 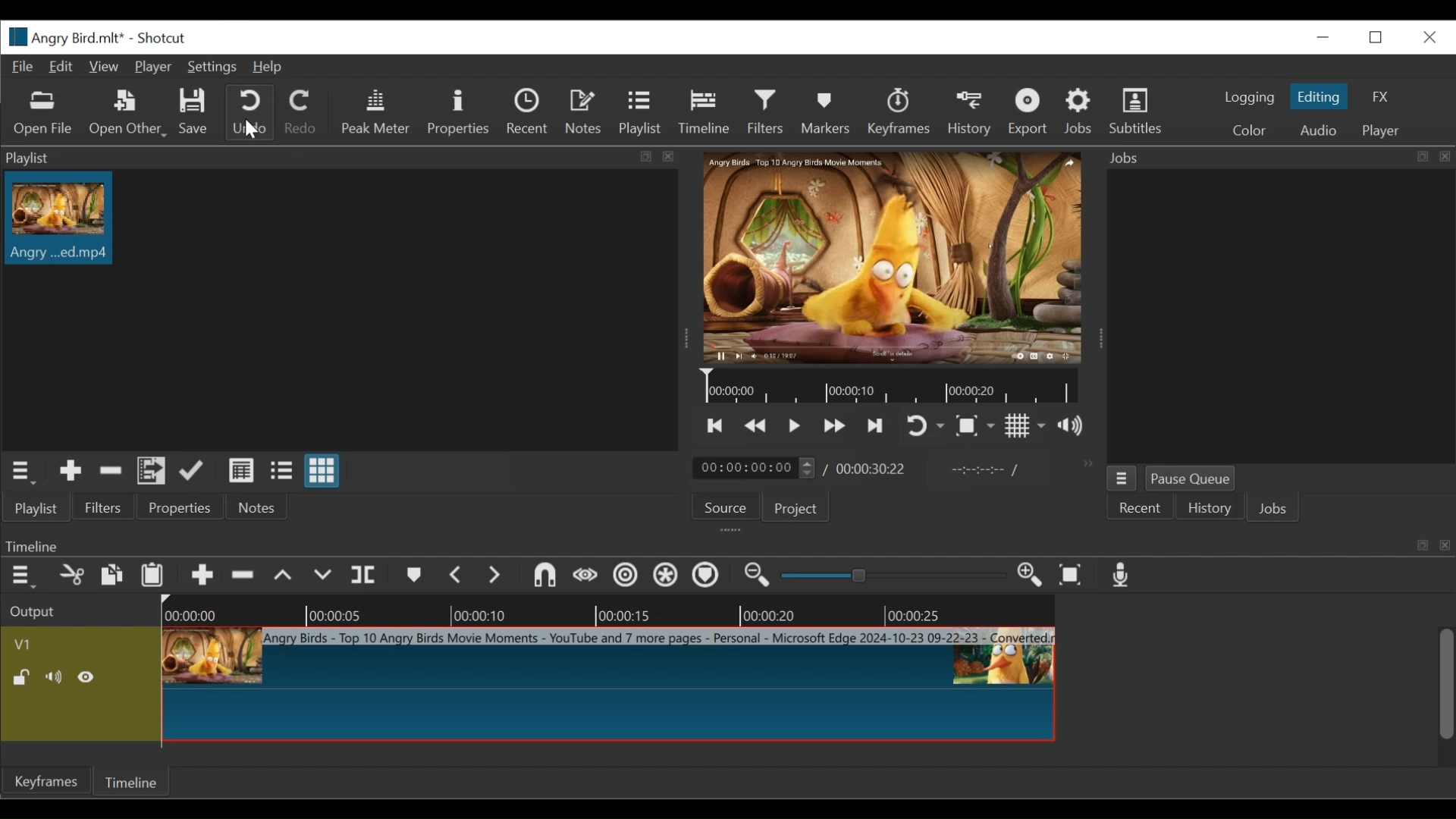 What do you see at coordinates (721, 508) in the screenshot?
I see `Source` at bounding box center [721, 508].